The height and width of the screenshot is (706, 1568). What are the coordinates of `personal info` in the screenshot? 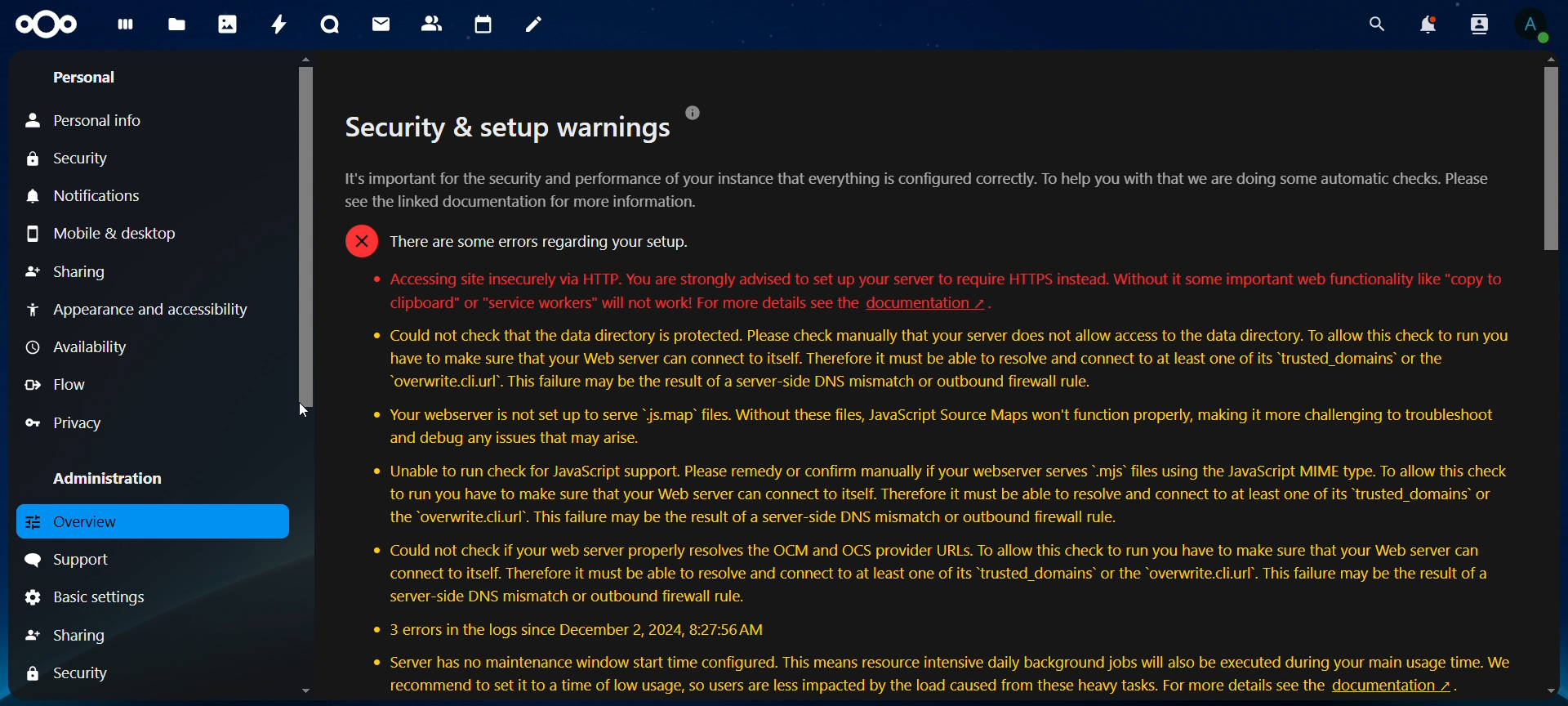 It's located at (95, 121).